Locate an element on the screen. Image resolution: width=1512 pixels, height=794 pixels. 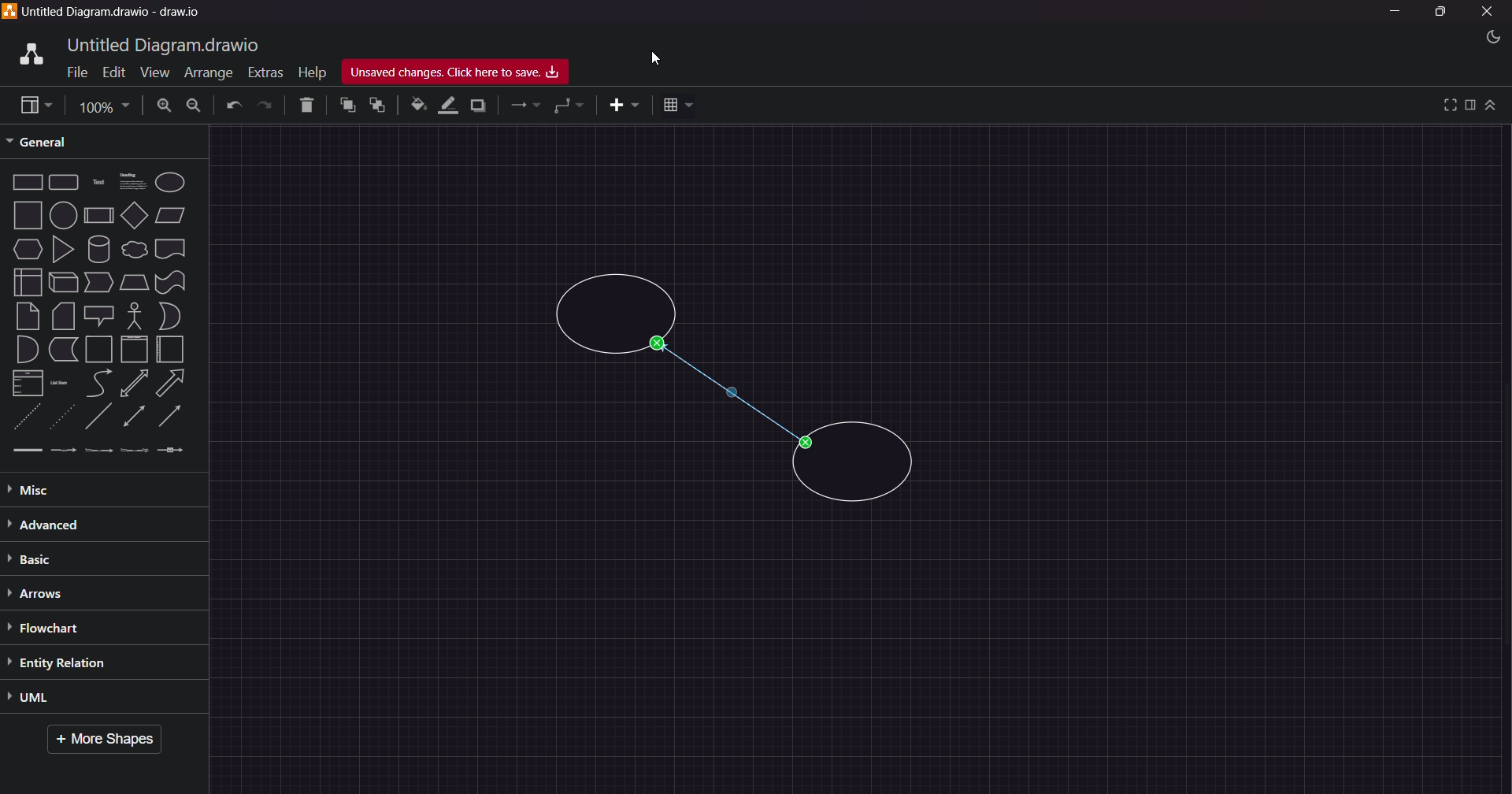
Close is located at coordinates (1488, 12).